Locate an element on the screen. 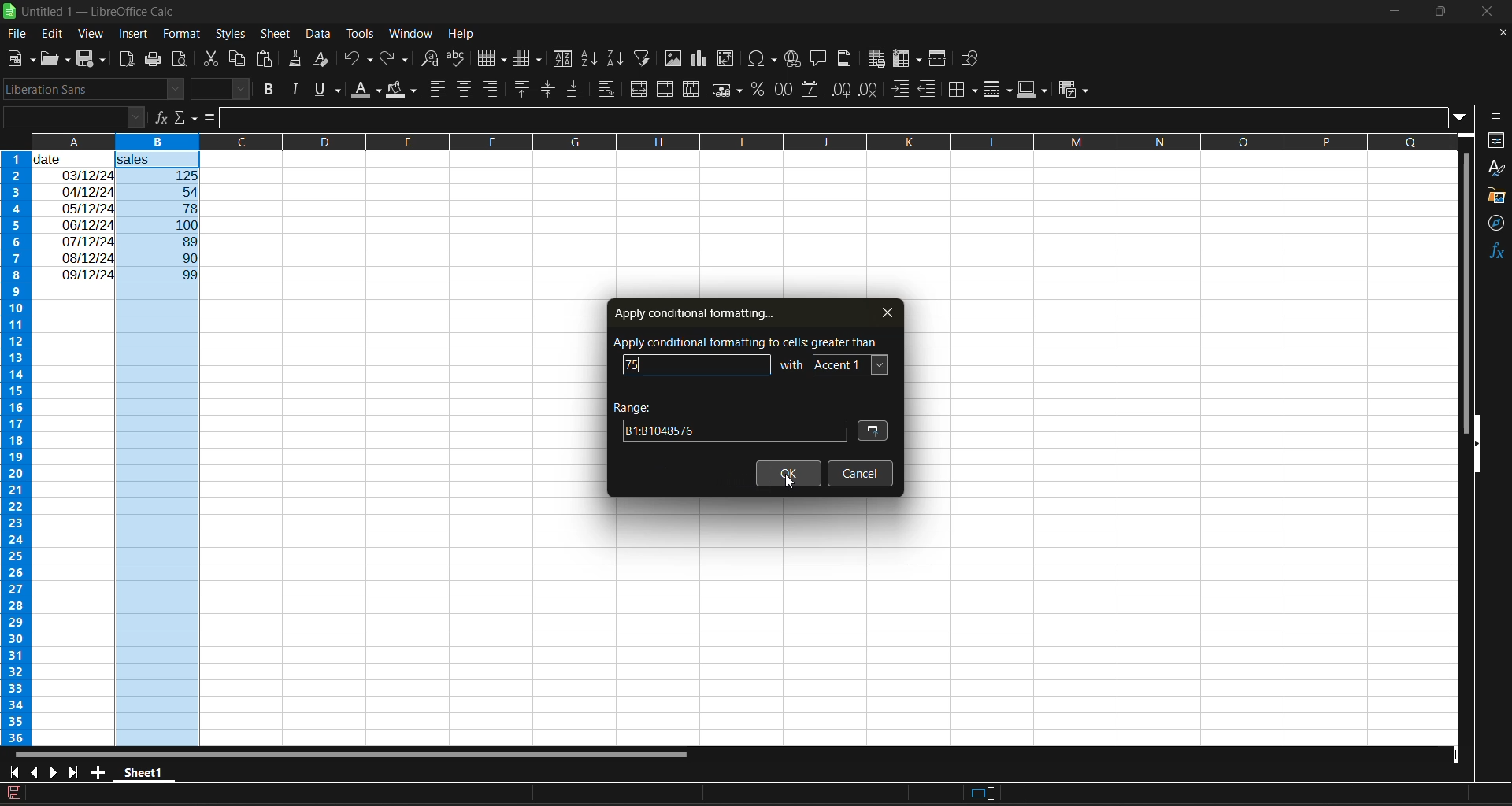  undo is located at coordinates (358, 61).